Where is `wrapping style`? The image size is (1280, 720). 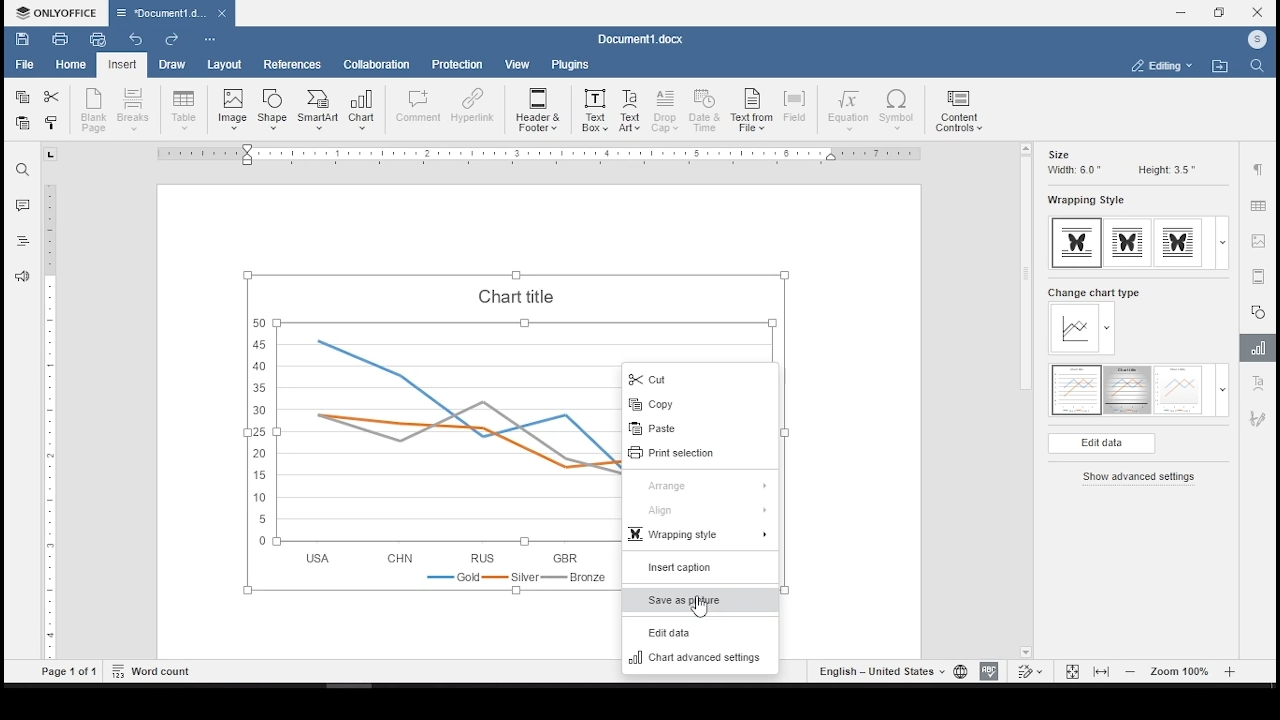
wrapping style is located at coordinates (1084, 201).